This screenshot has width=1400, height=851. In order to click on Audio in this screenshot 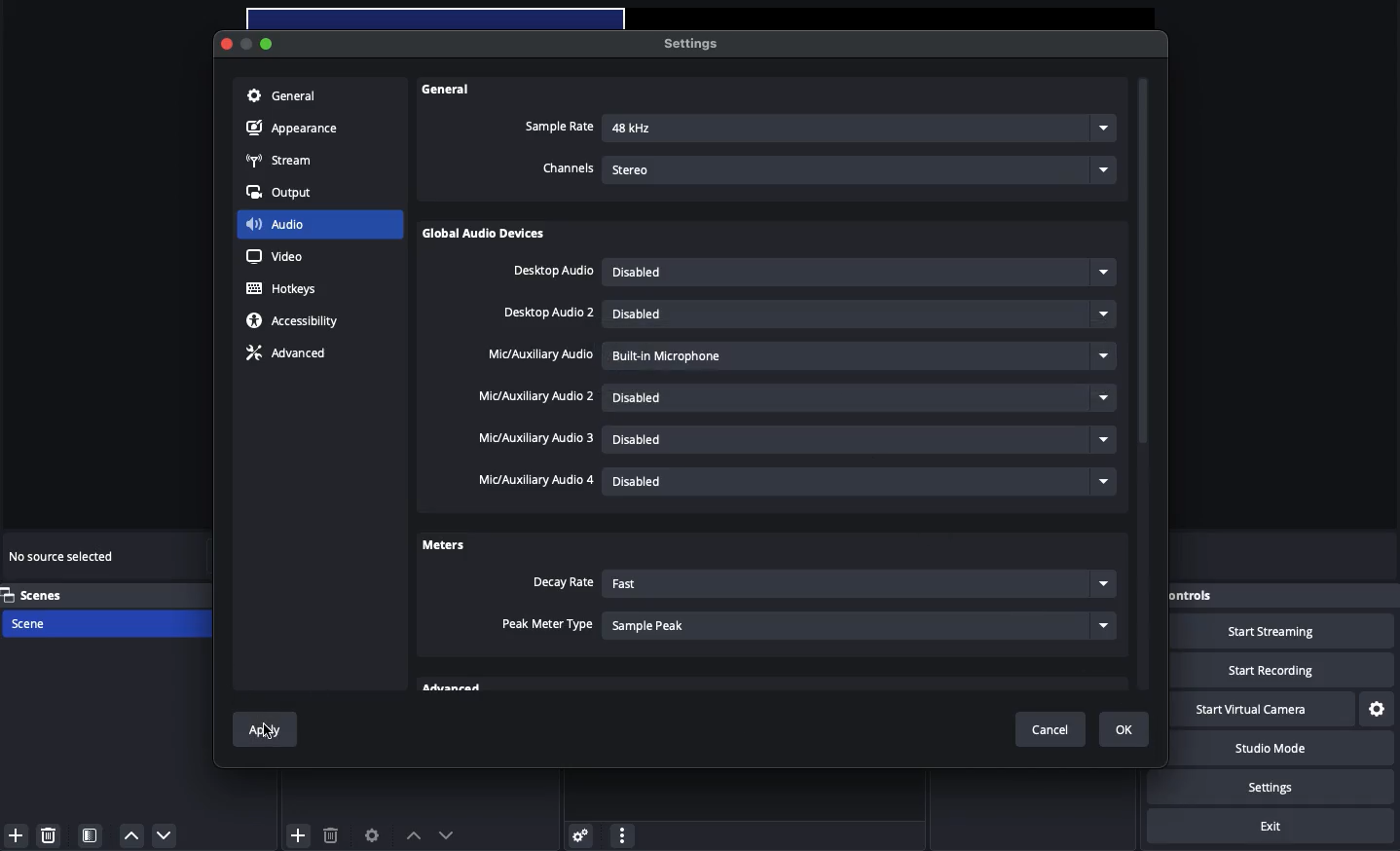, I will do `click(276, 223)`.